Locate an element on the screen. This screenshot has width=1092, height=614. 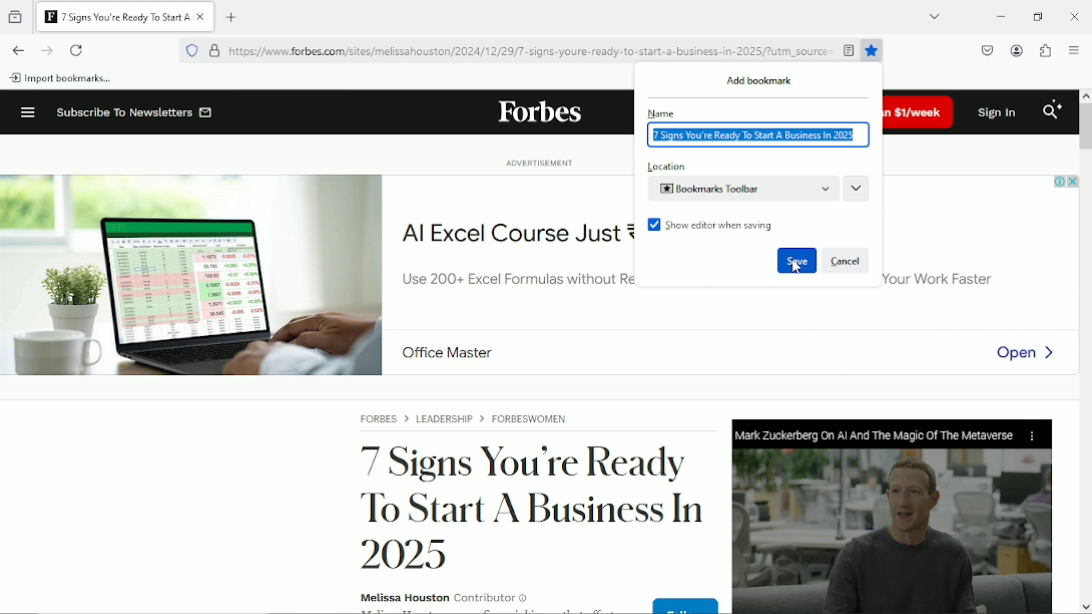
blocking social media trackers is located at coordinates (191, 50).